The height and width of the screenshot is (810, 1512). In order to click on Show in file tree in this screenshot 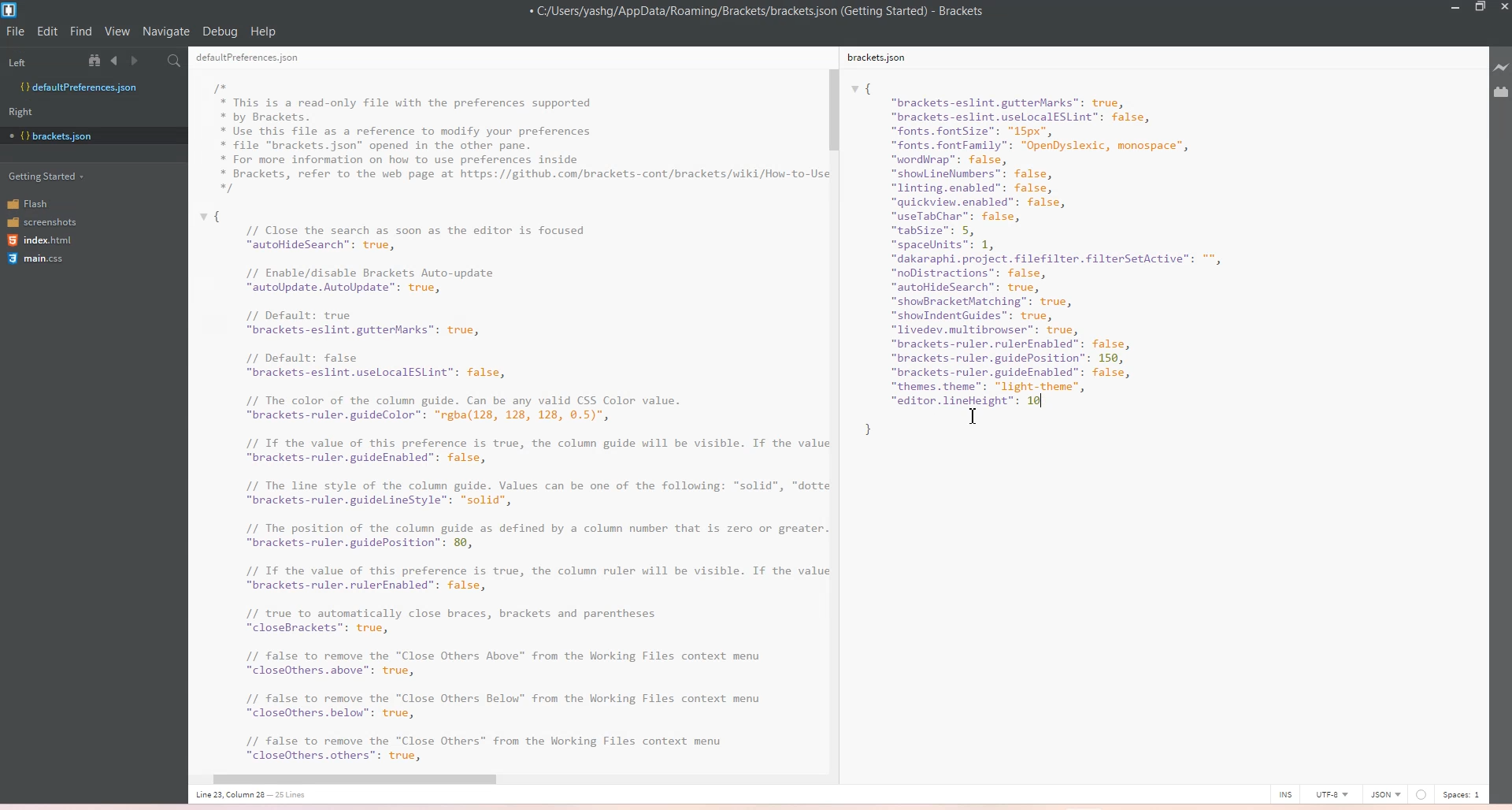, I will do `click(98, 60)`.